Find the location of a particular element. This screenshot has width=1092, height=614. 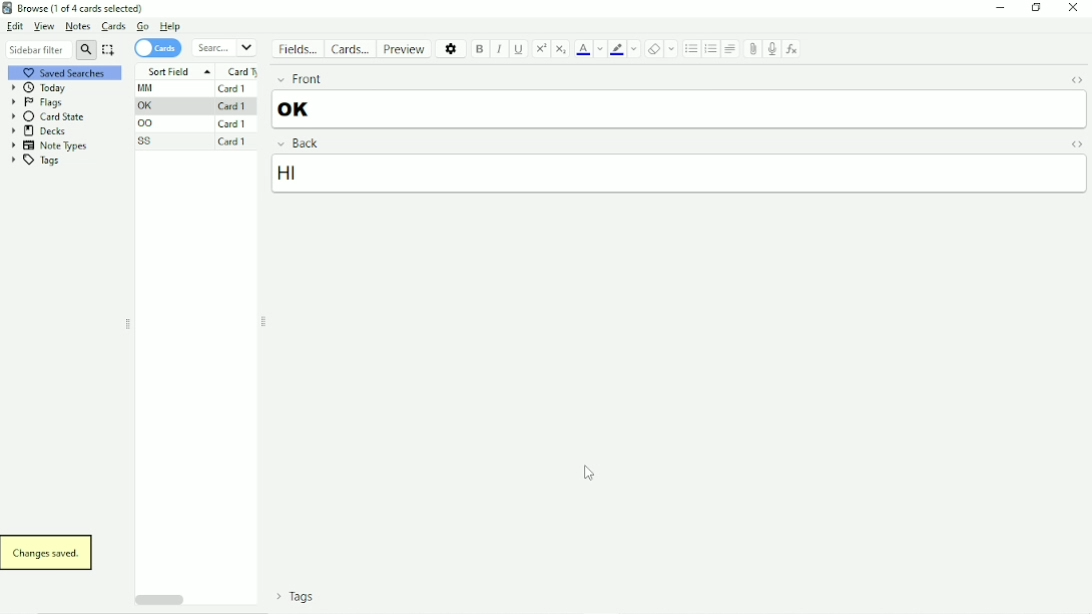

OK is located at coordinates (148, 106).